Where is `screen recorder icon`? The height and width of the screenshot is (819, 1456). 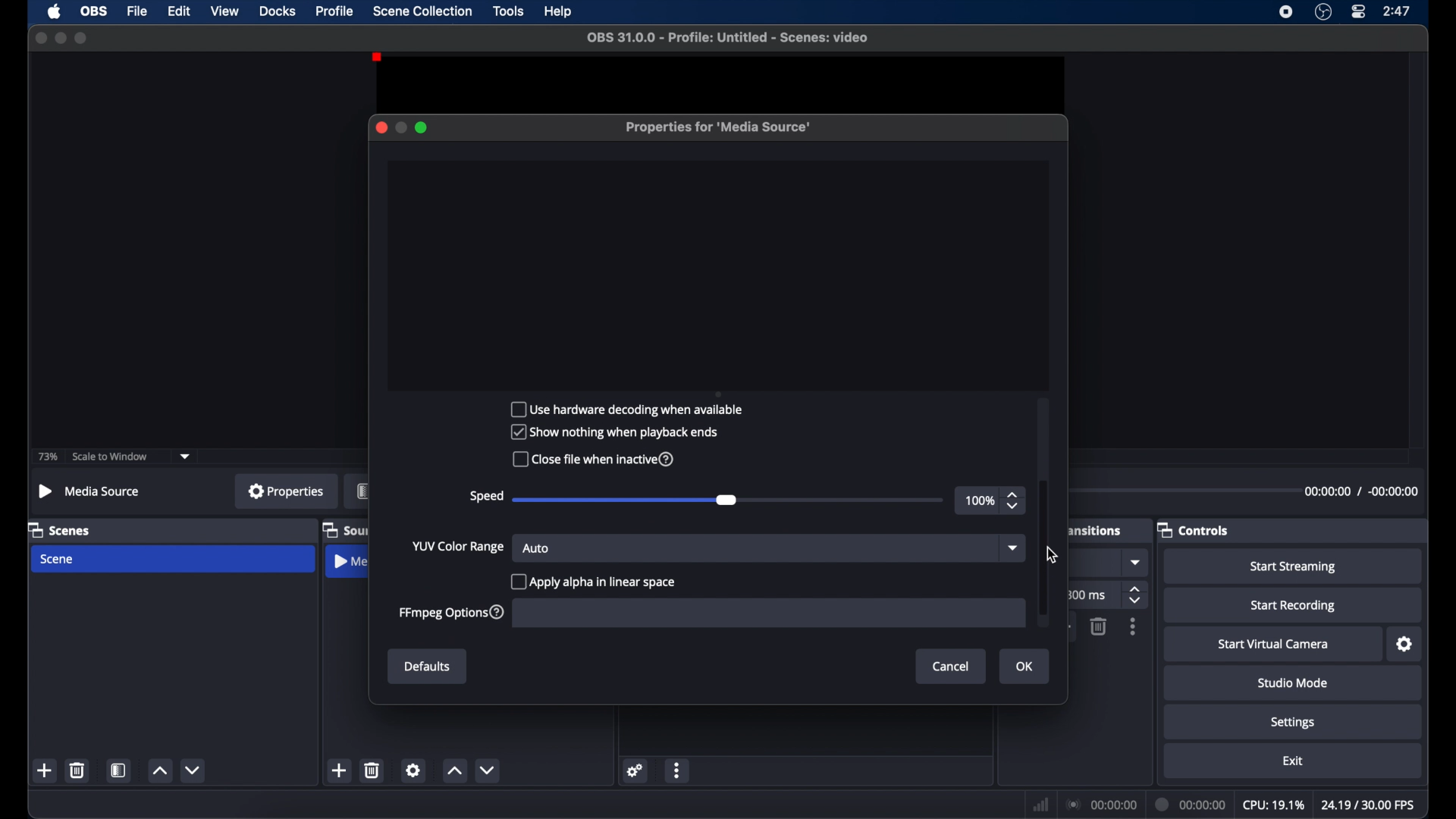 screen recorder icon is located at coordinates (1286, 12).